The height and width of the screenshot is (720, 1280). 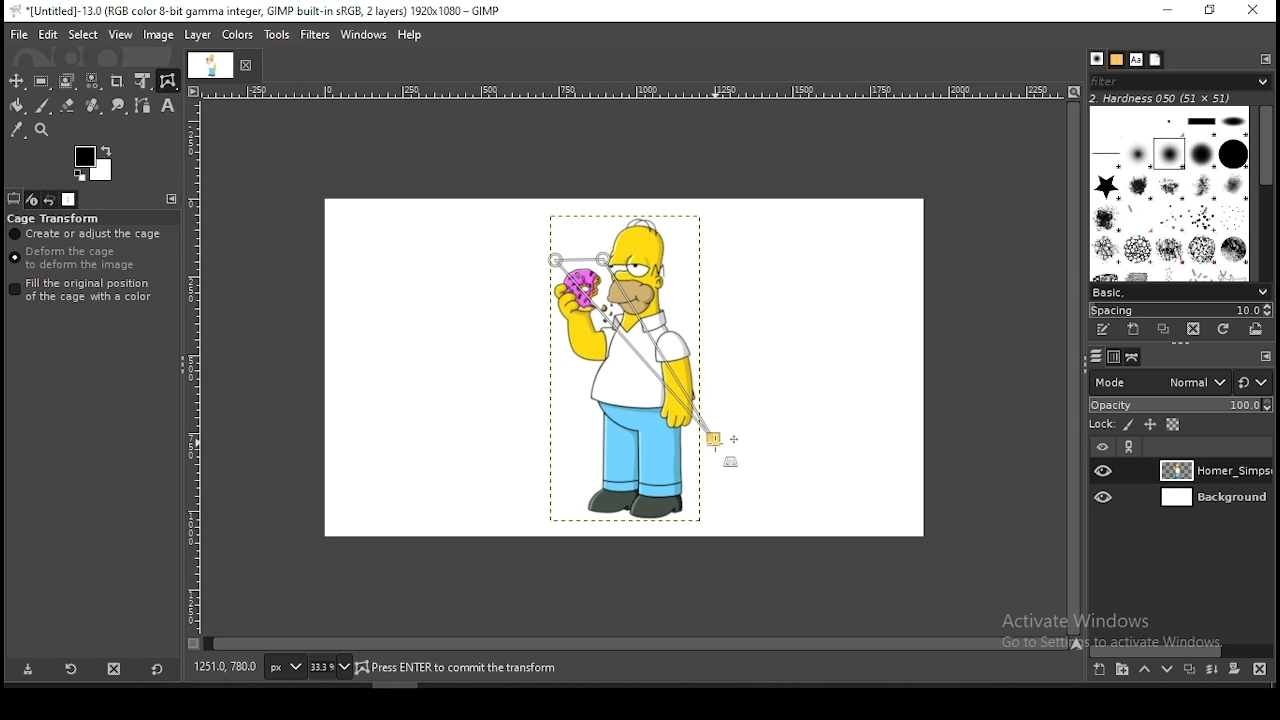 I want to click on channels, so click(x=1112, y=356).